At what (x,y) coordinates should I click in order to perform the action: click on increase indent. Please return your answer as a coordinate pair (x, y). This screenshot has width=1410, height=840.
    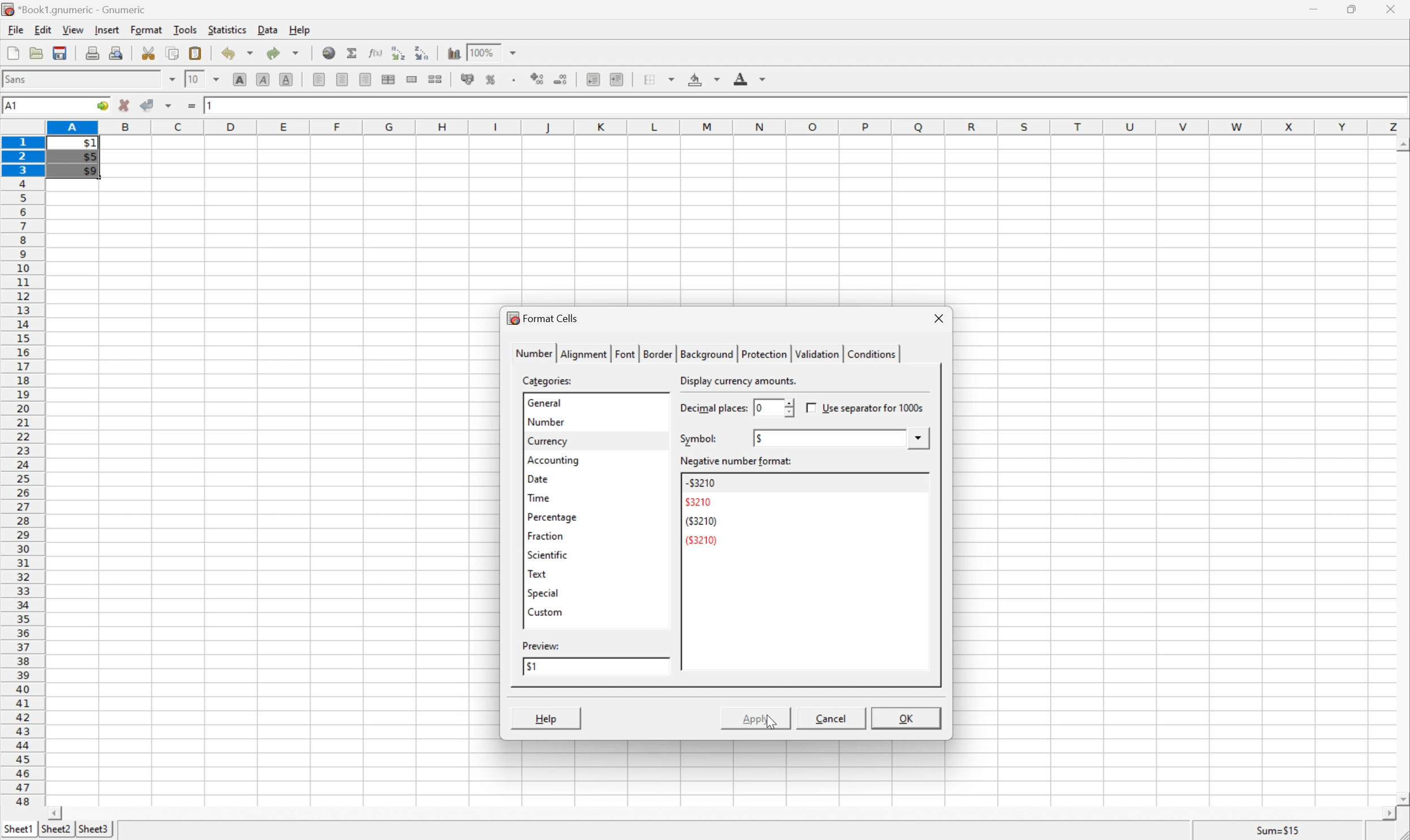
    Looking at the image, I should click on (618, 79).